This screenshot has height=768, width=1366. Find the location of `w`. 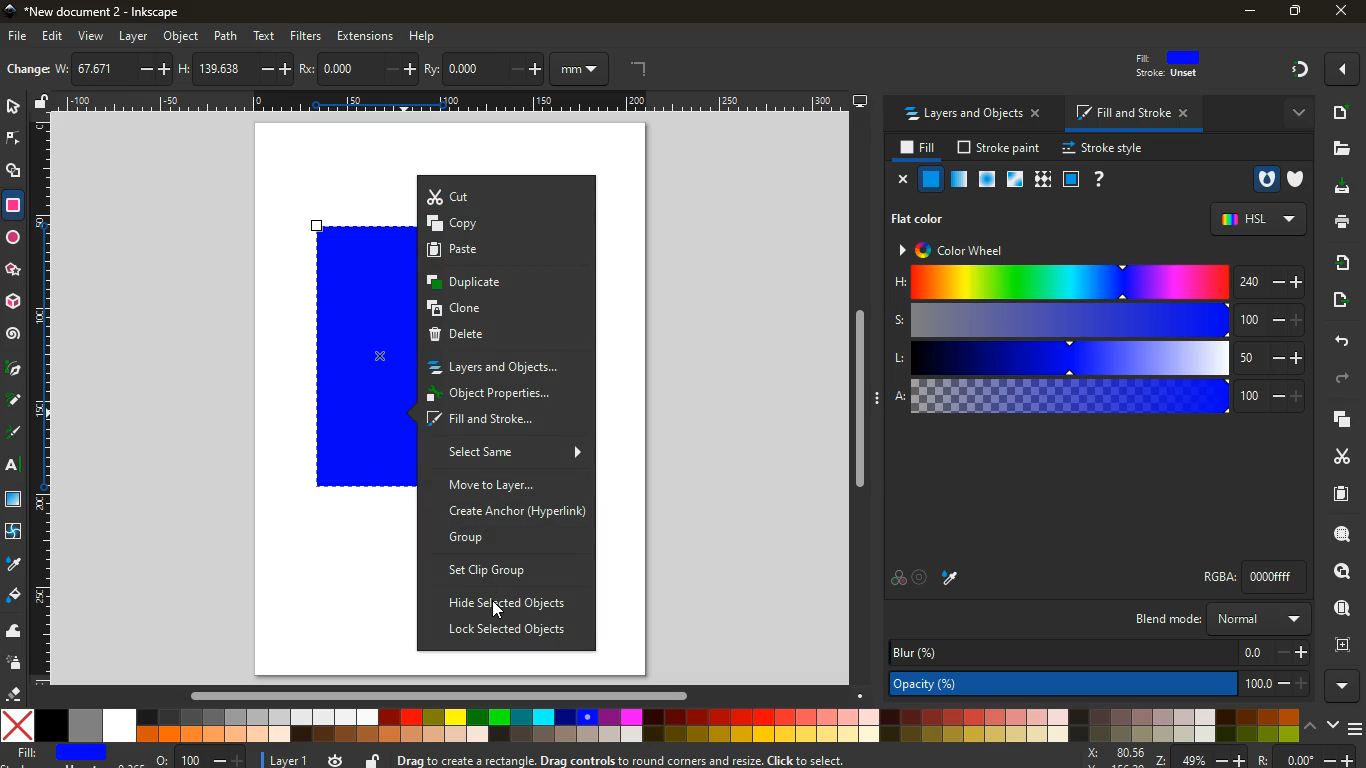

w is located at coordinates (113, 69).